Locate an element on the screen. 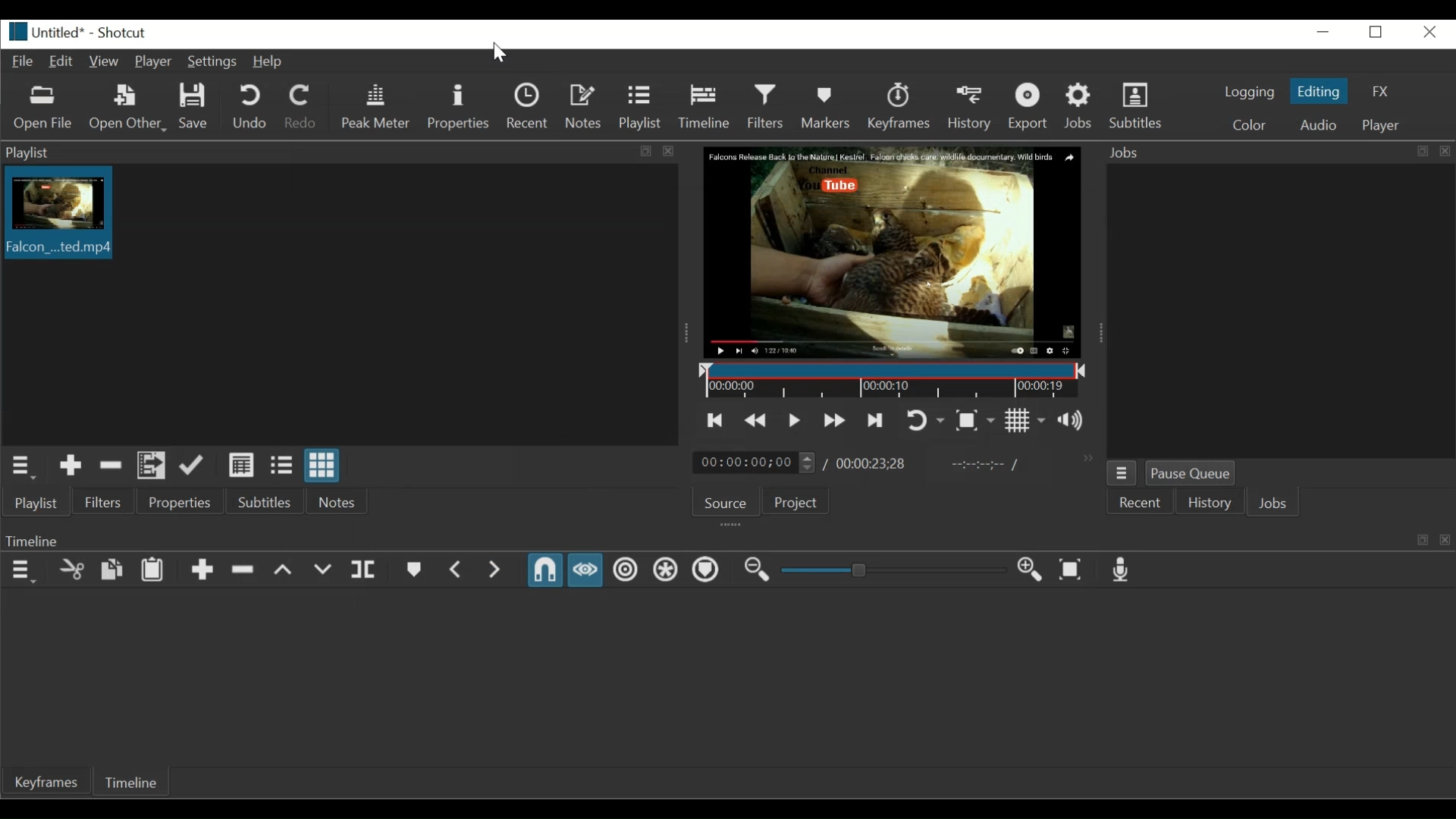 Image resolution: width=1456 pixels, height=819 pixels. Filters is located at coordinates (766, 106).